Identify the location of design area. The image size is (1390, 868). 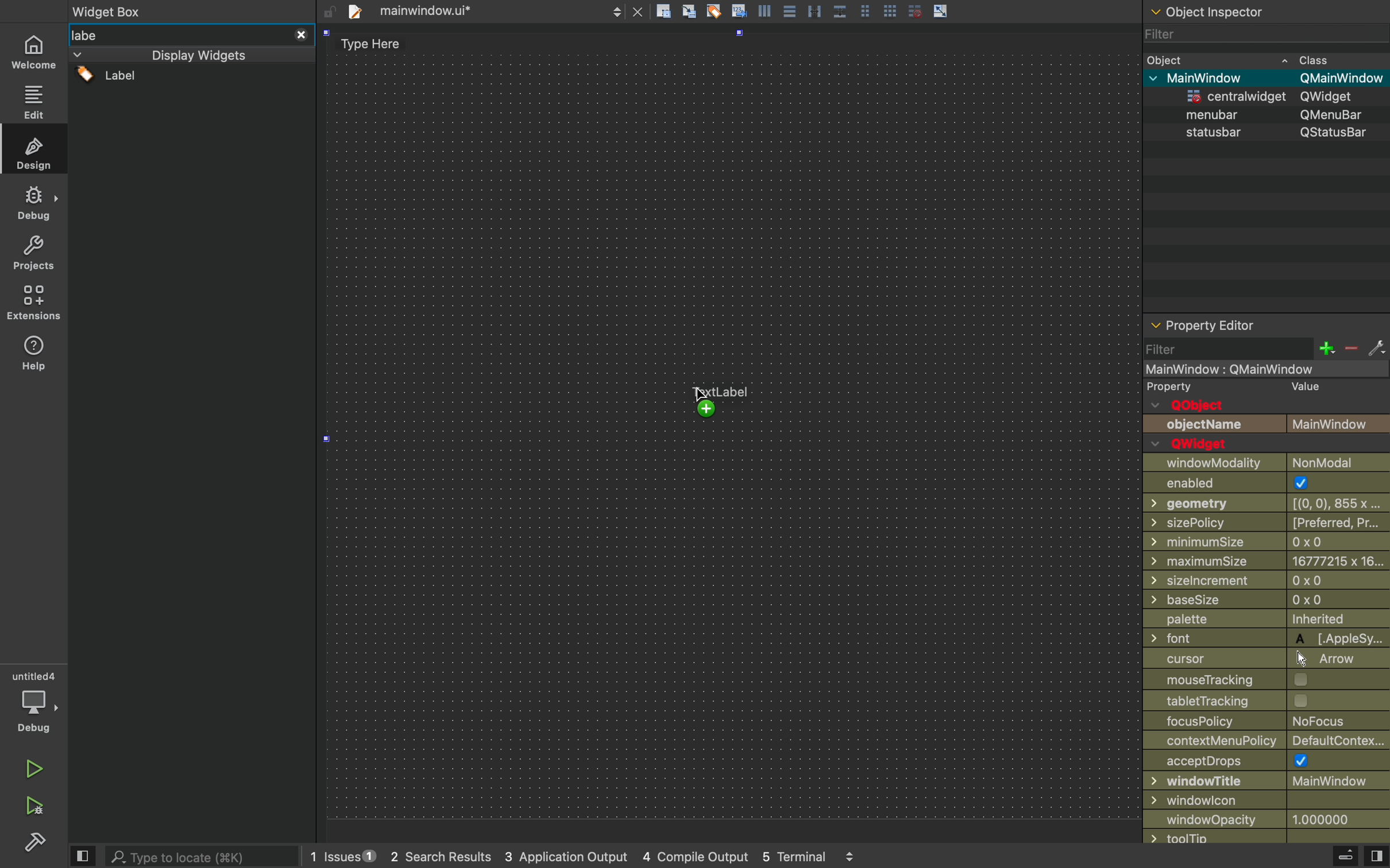
(733, 429).